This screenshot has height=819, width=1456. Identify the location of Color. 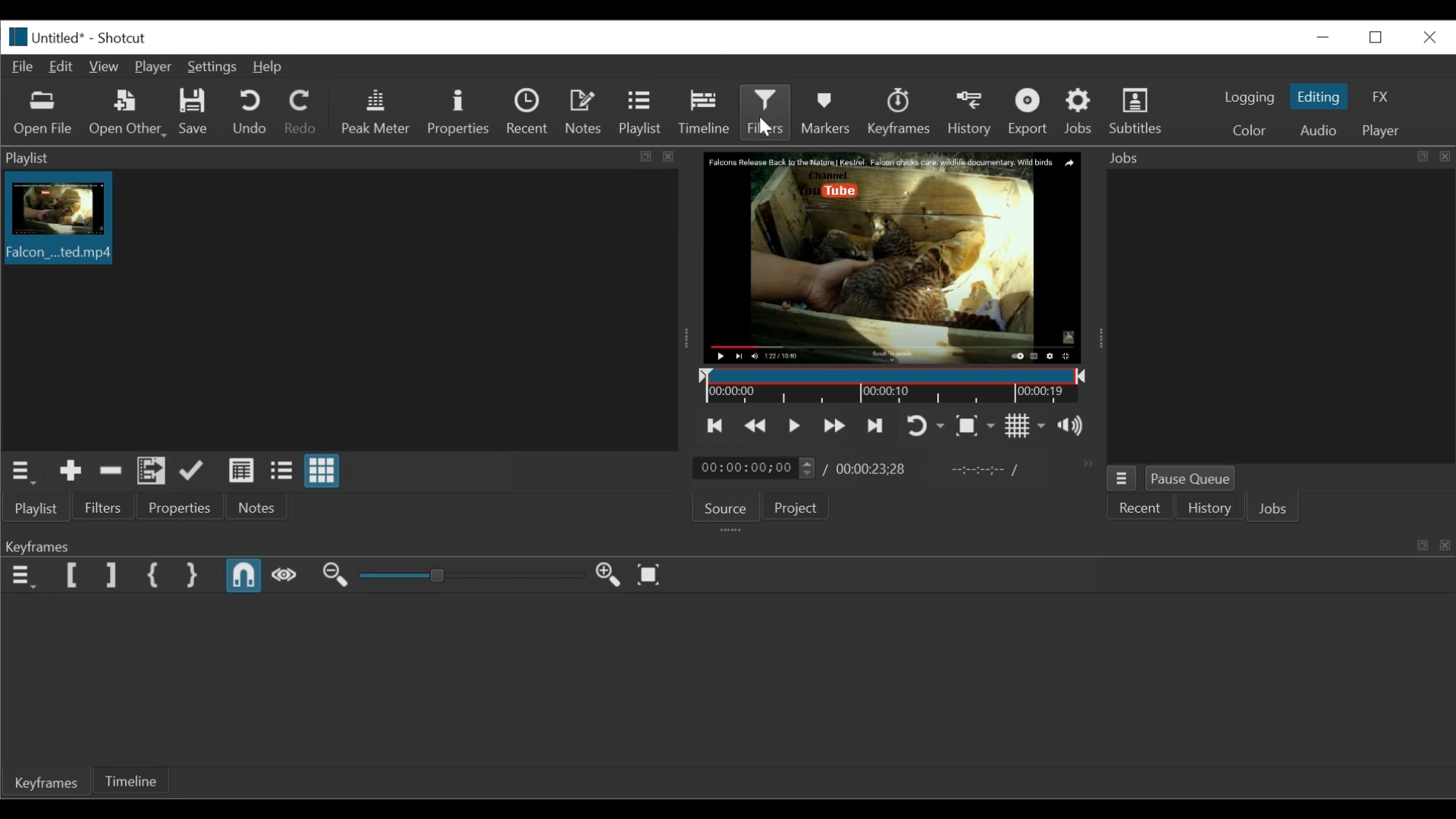
(1250, 129).